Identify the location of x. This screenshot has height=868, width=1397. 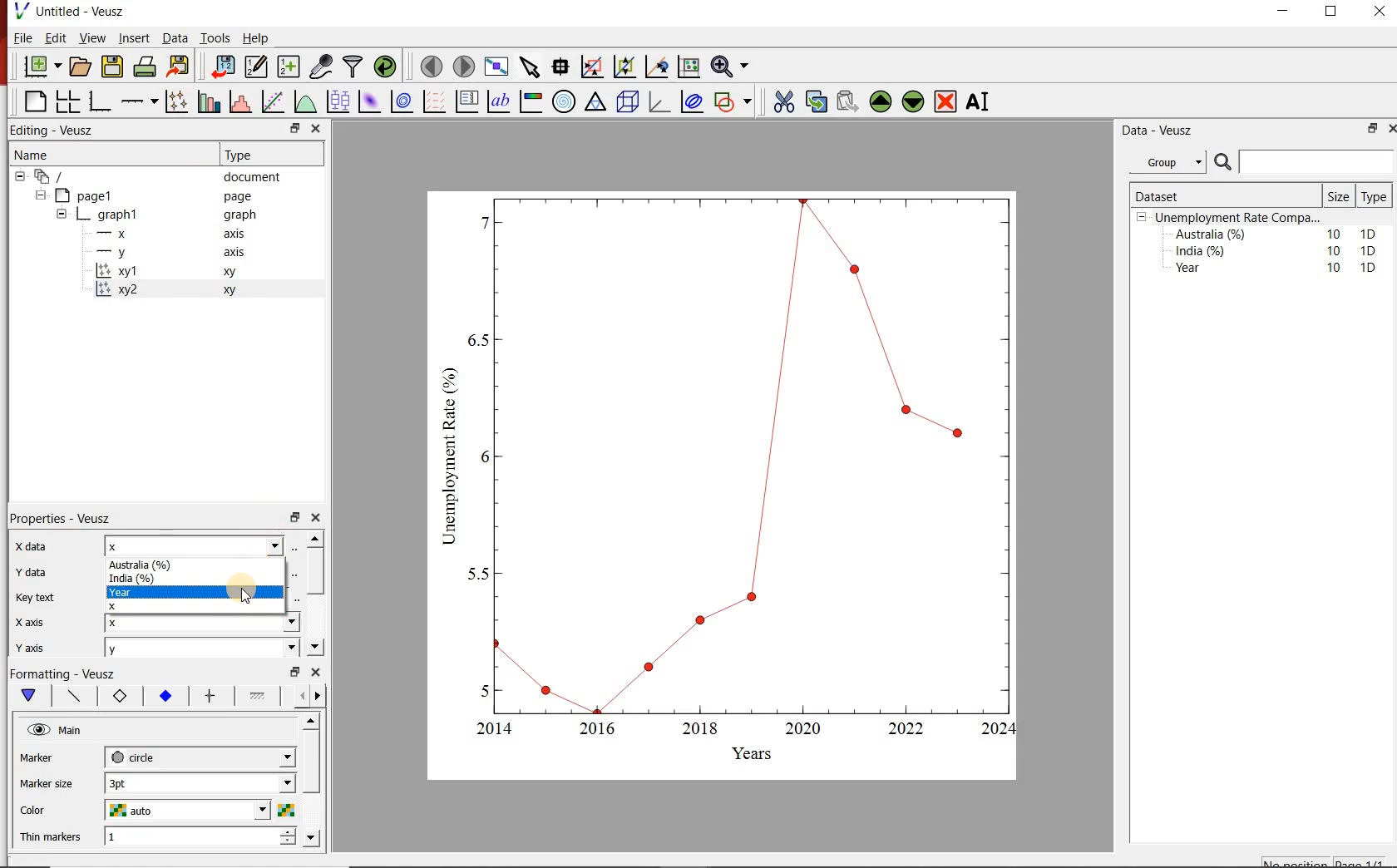
(200, 626).